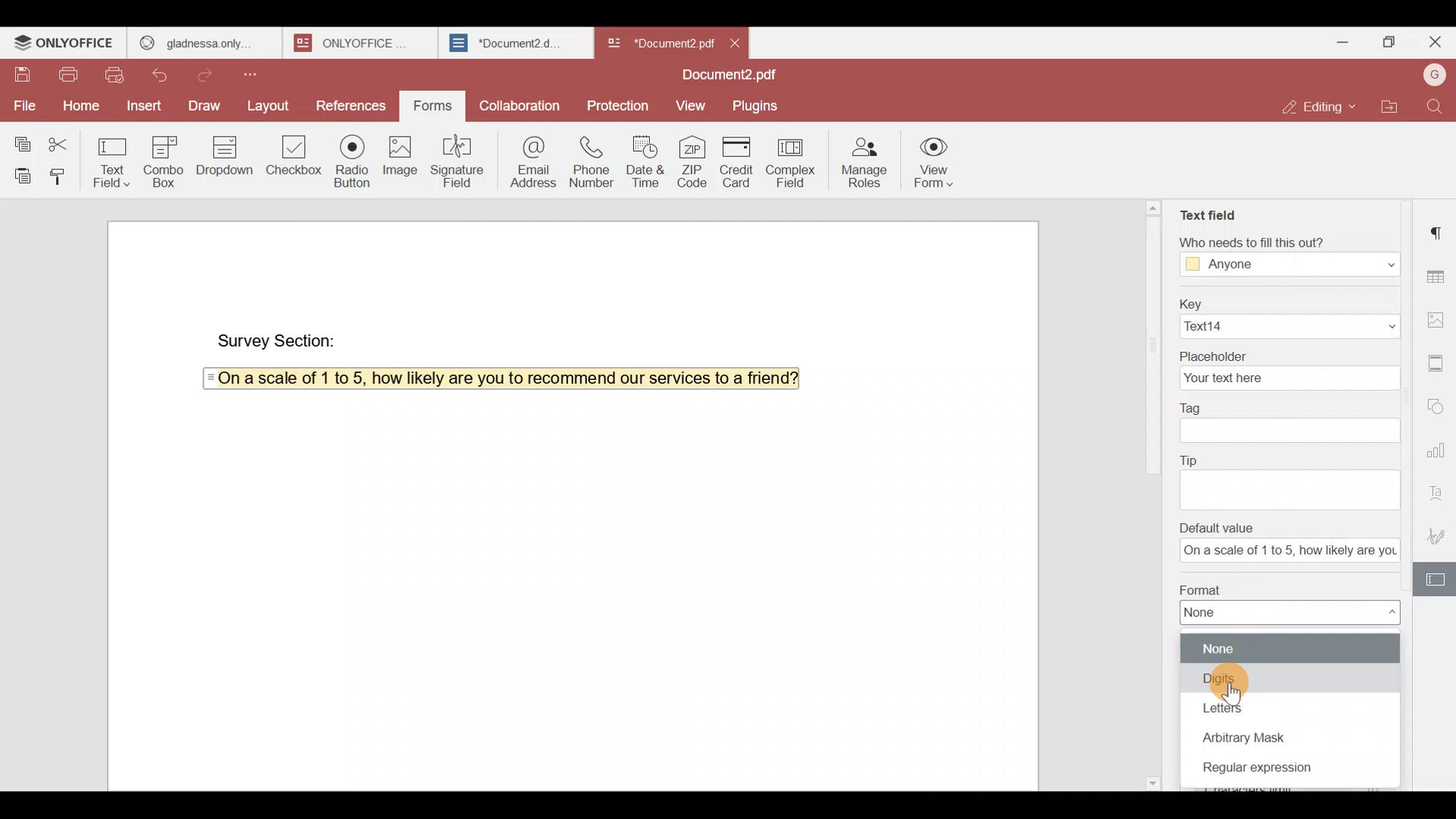 The width and height of the screenshot is (1456, 819). Describe the element at coordinates (350, 102) in the screenshot. I see `References` at that location.